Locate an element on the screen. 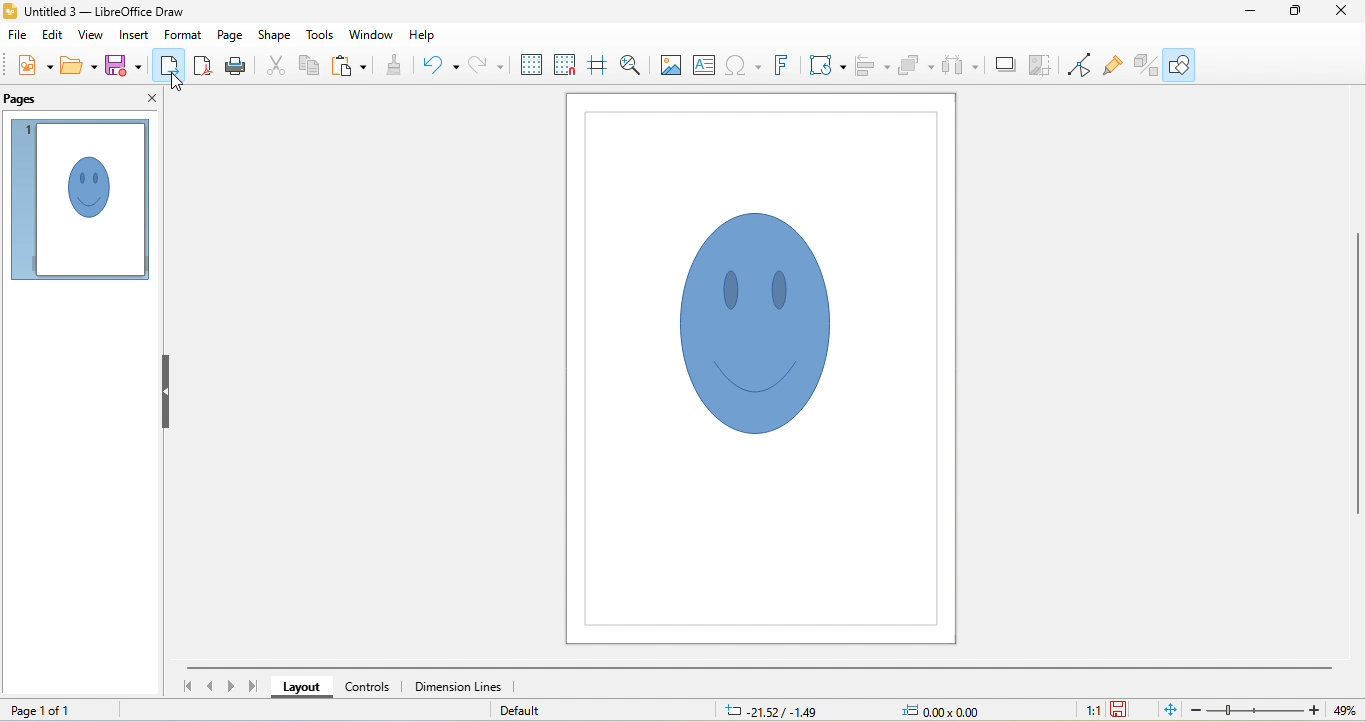 This screenshot has width=1366, height=722. pages is located at coordinates (25, 99).